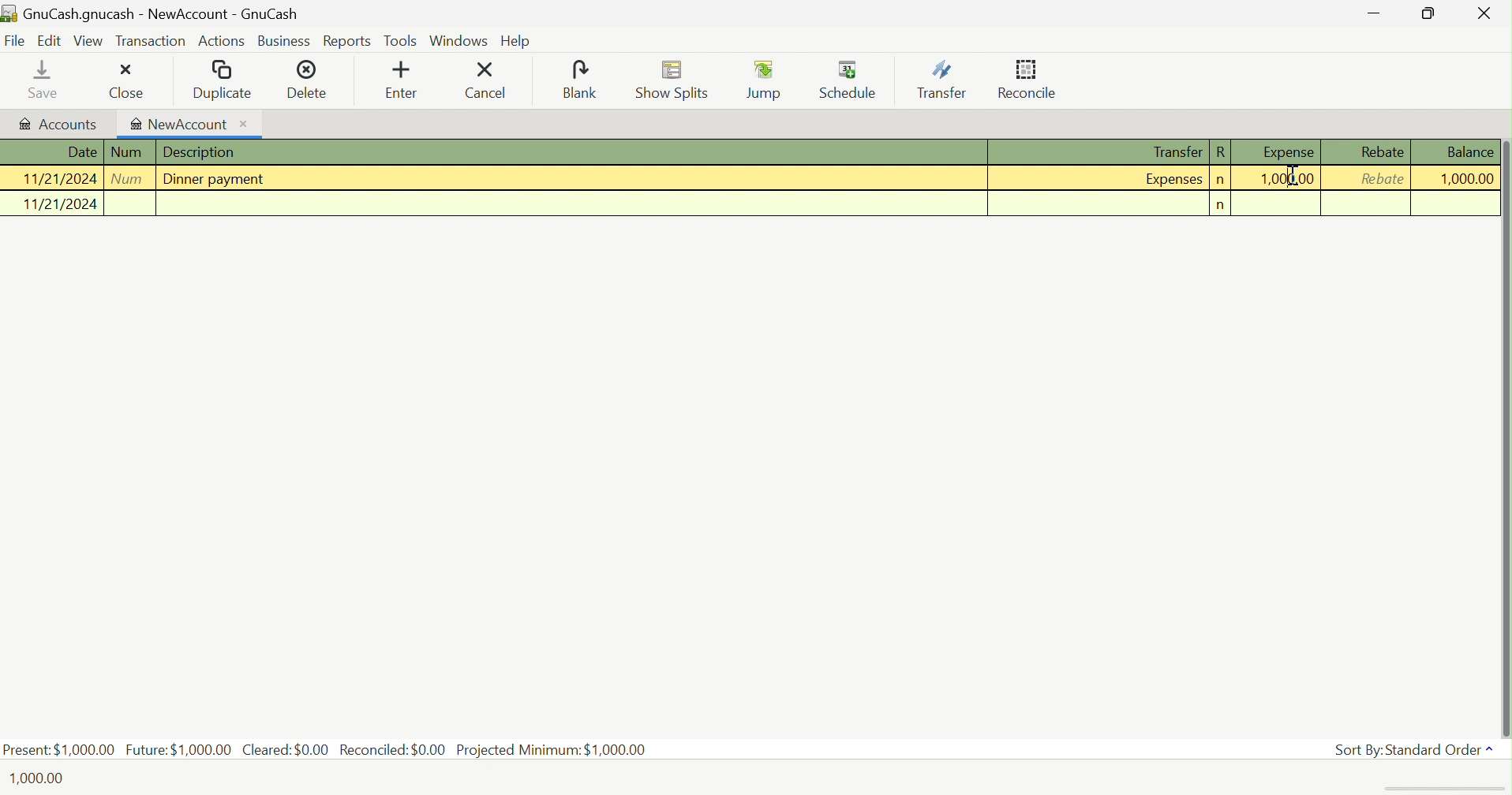  What do you see at coordinates (150, 39) in the screenshot?
I see `Transaction` at bounding box center [150, 39].